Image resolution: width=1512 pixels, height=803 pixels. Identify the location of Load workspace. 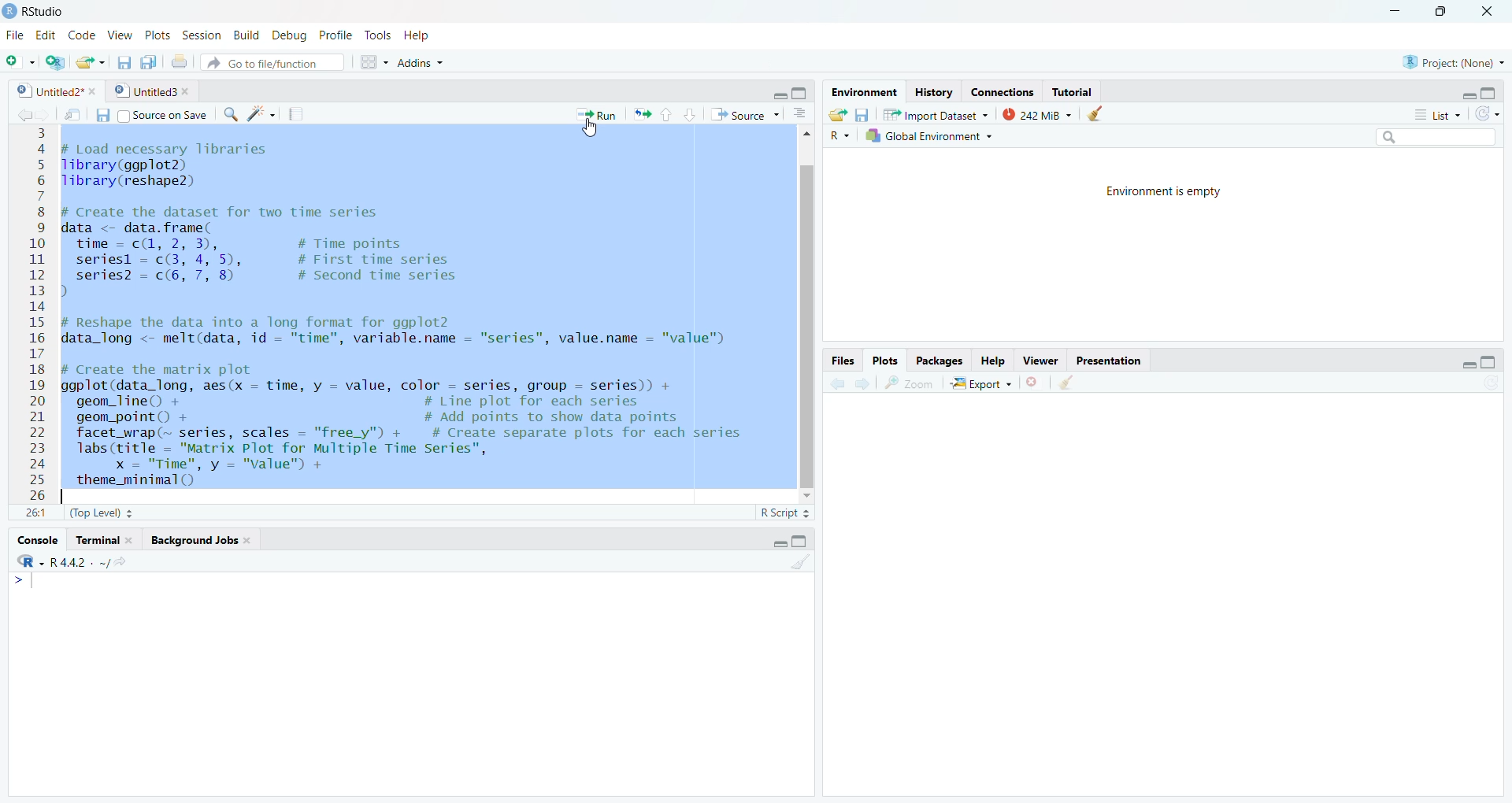
(838, 113).